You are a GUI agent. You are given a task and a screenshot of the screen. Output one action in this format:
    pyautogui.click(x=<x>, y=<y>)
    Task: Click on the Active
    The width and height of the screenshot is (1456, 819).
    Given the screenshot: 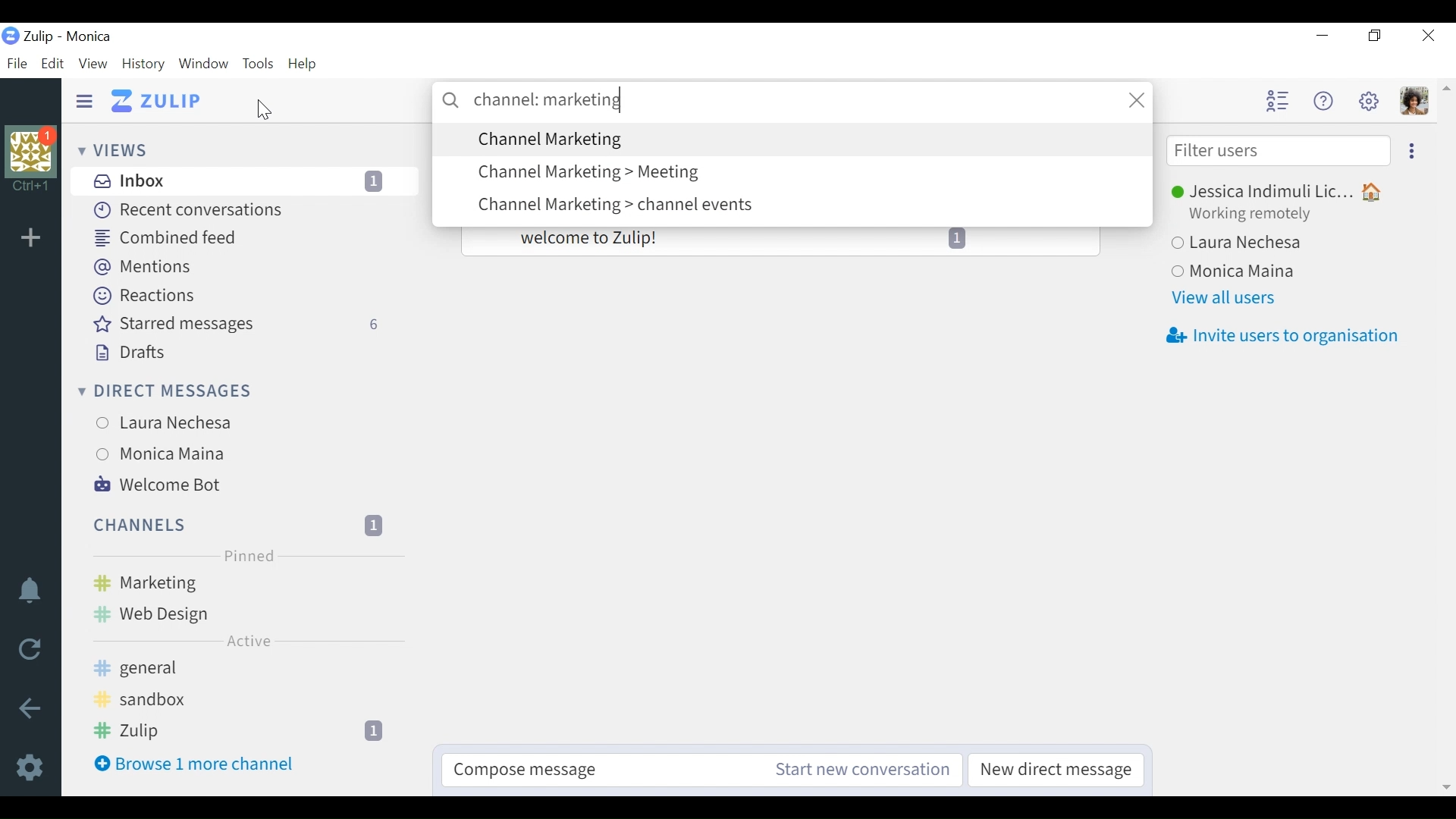 What is the action you would take?
    pyautogui.click(x=245, y=641)
    